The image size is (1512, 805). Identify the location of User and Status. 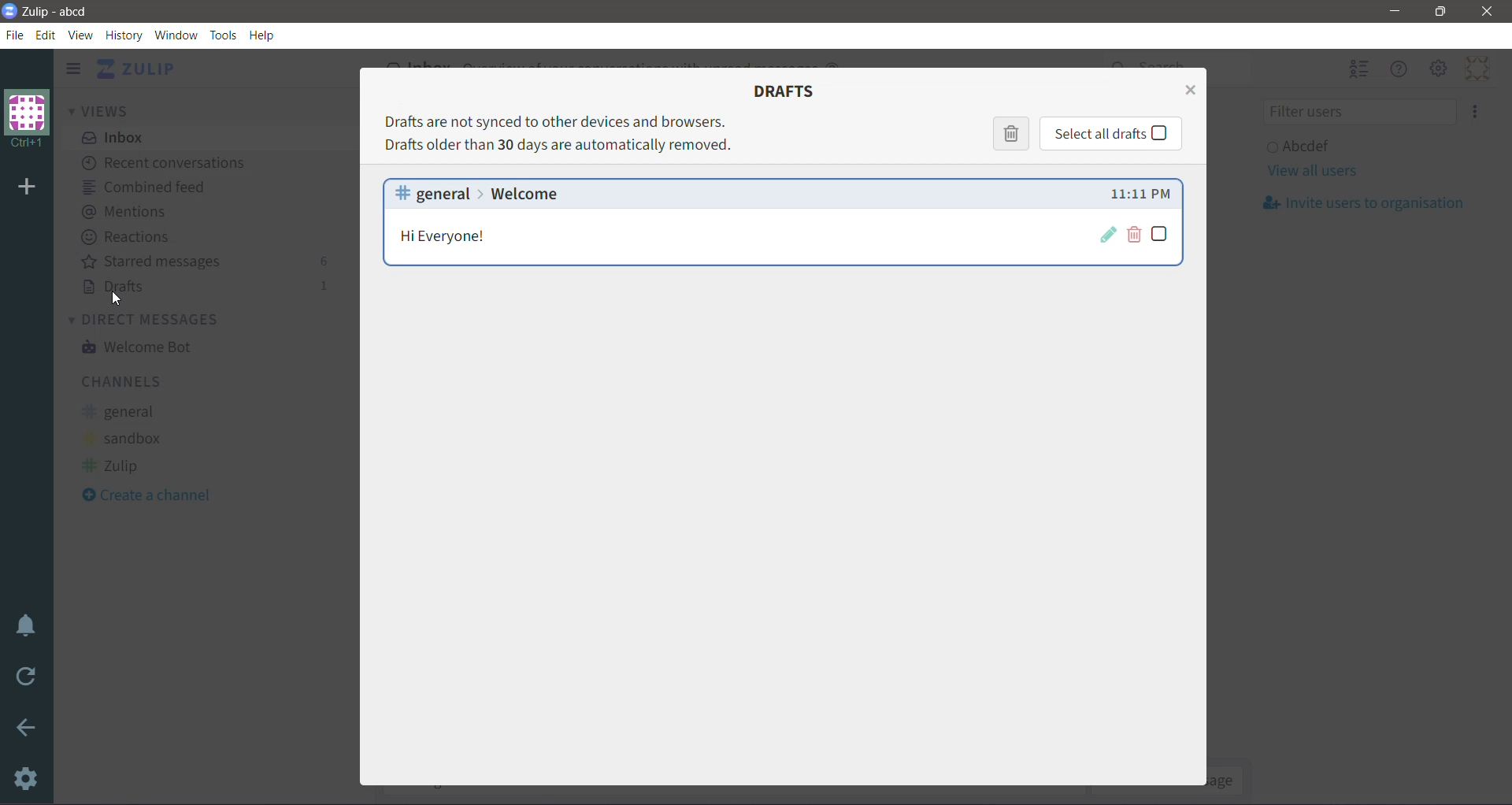
(1301, 145).